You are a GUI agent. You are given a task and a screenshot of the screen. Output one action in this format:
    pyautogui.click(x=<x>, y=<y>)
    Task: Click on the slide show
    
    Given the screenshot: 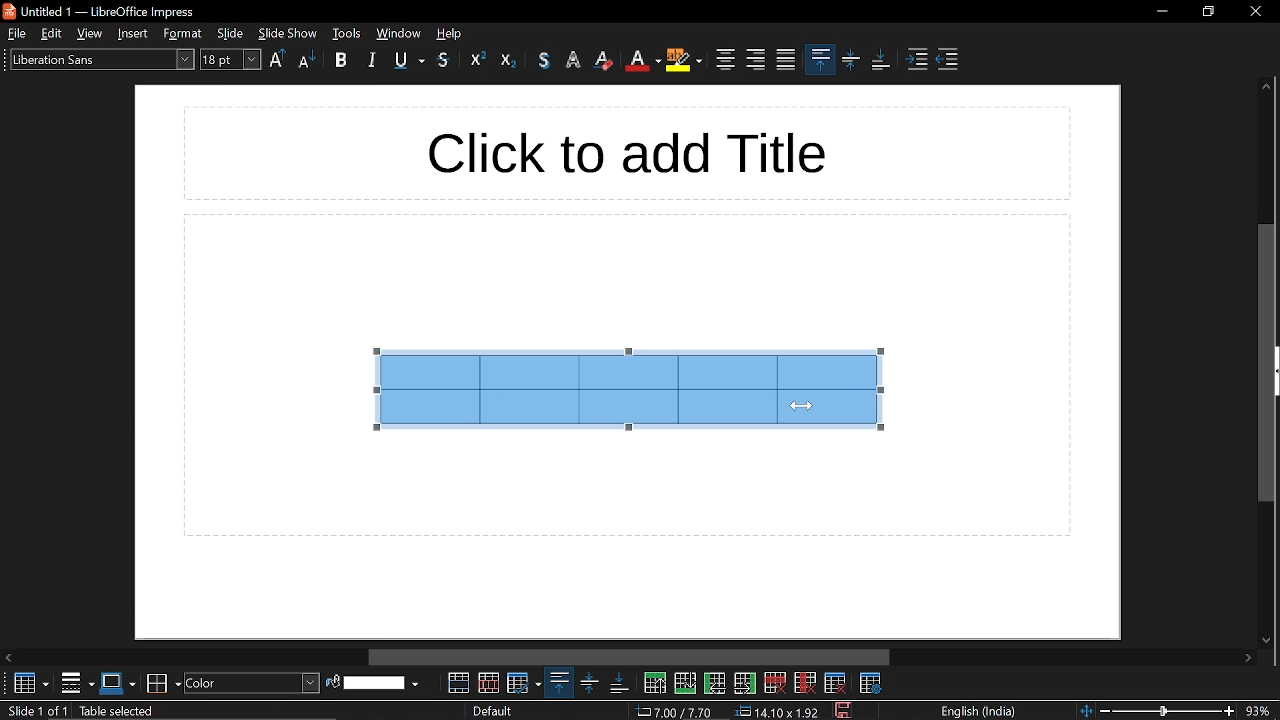 What is the action you would take?
    pyautogui.click(x=289, y=33)
    